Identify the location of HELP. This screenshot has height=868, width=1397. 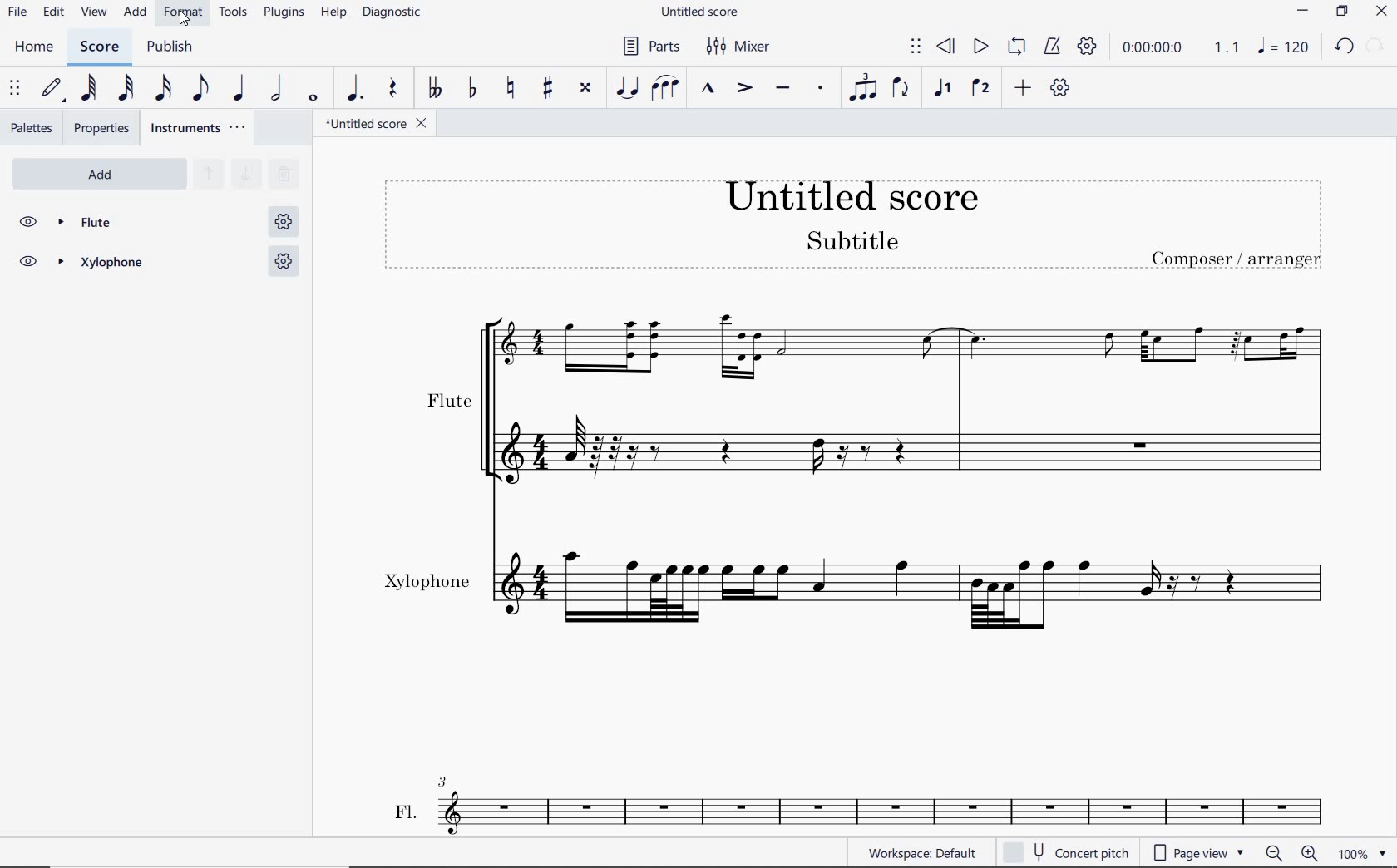
(333, 13).